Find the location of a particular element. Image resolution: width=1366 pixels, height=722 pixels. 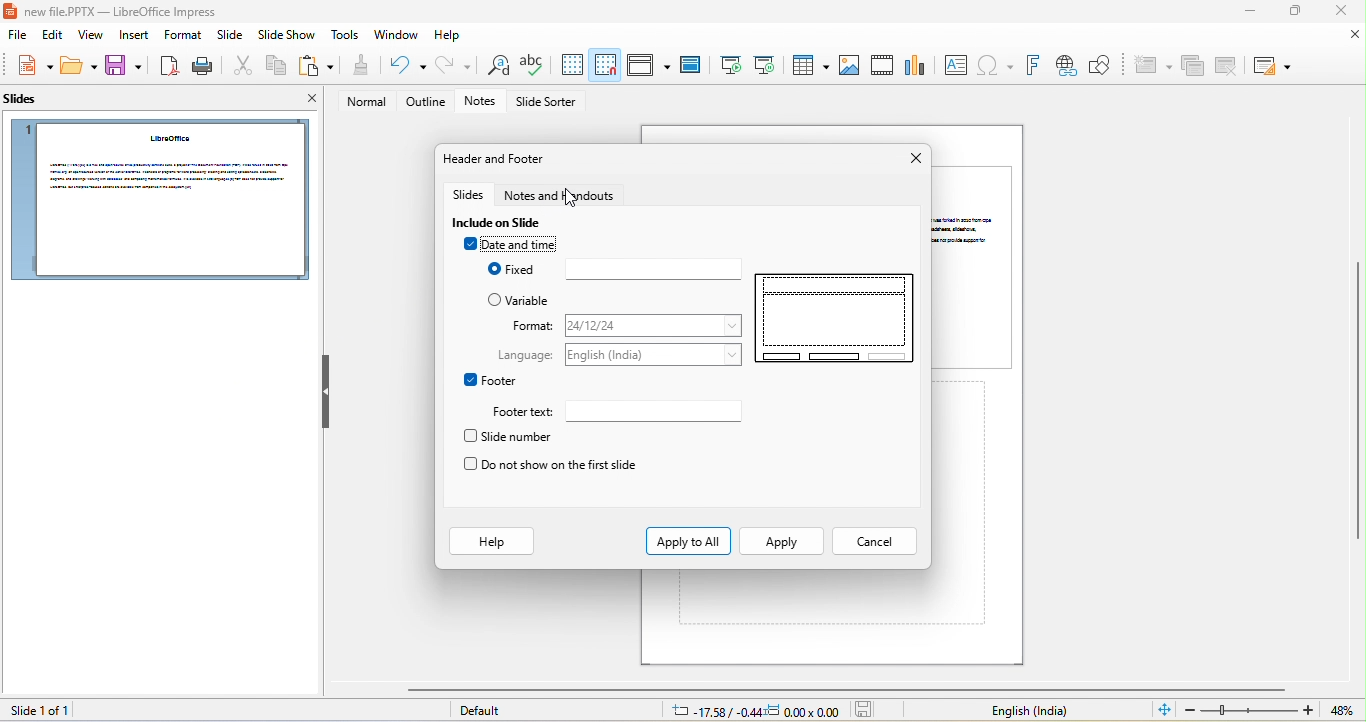

close is located at coordinates (1356, 35).